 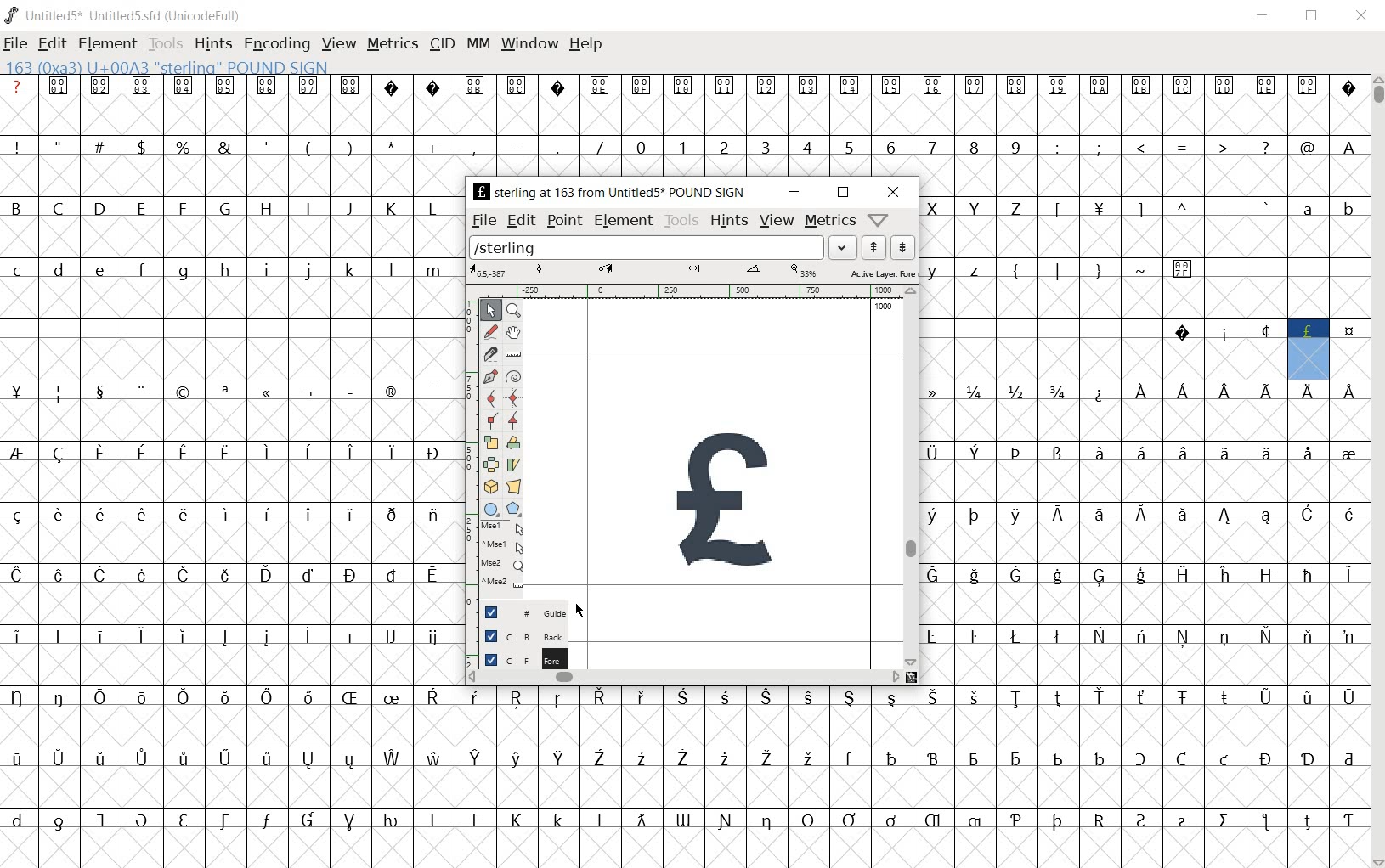 I want to click on minimize, so click(x=1266, y=17).